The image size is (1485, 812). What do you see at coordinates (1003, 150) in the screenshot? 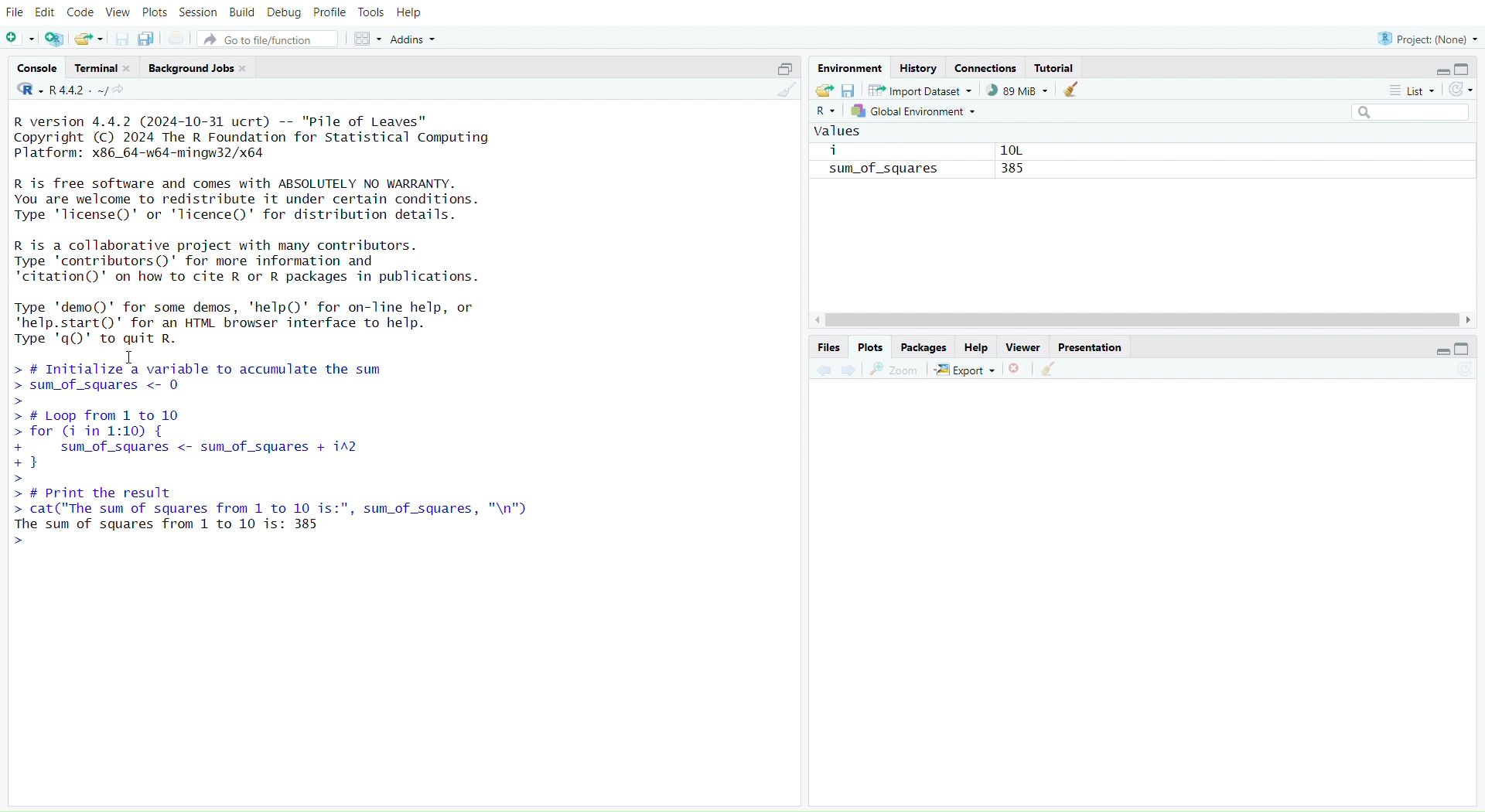
I see `10L` at bounding box center [1003, 150].